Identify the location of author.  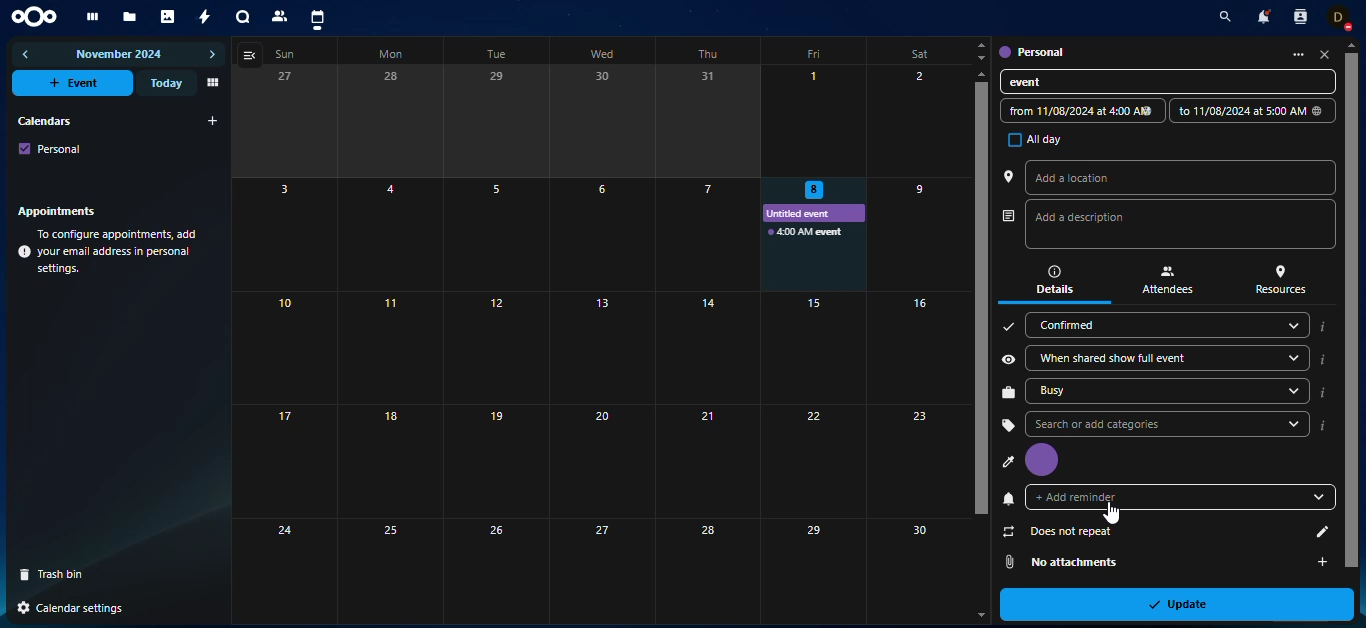
(1006, 217).